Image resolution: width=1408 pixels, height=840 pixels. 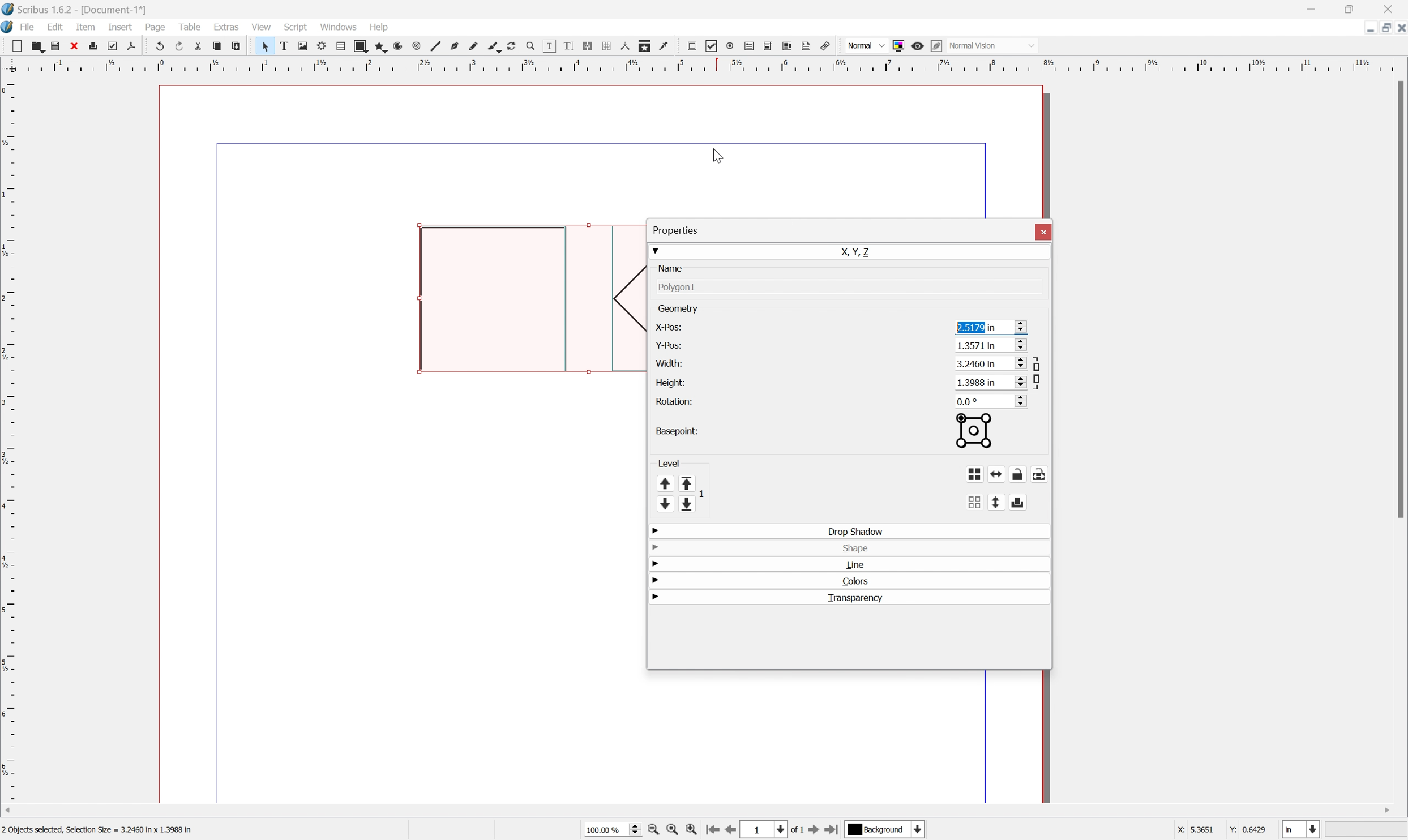 I want to click on print, so click(x=92, y=46).